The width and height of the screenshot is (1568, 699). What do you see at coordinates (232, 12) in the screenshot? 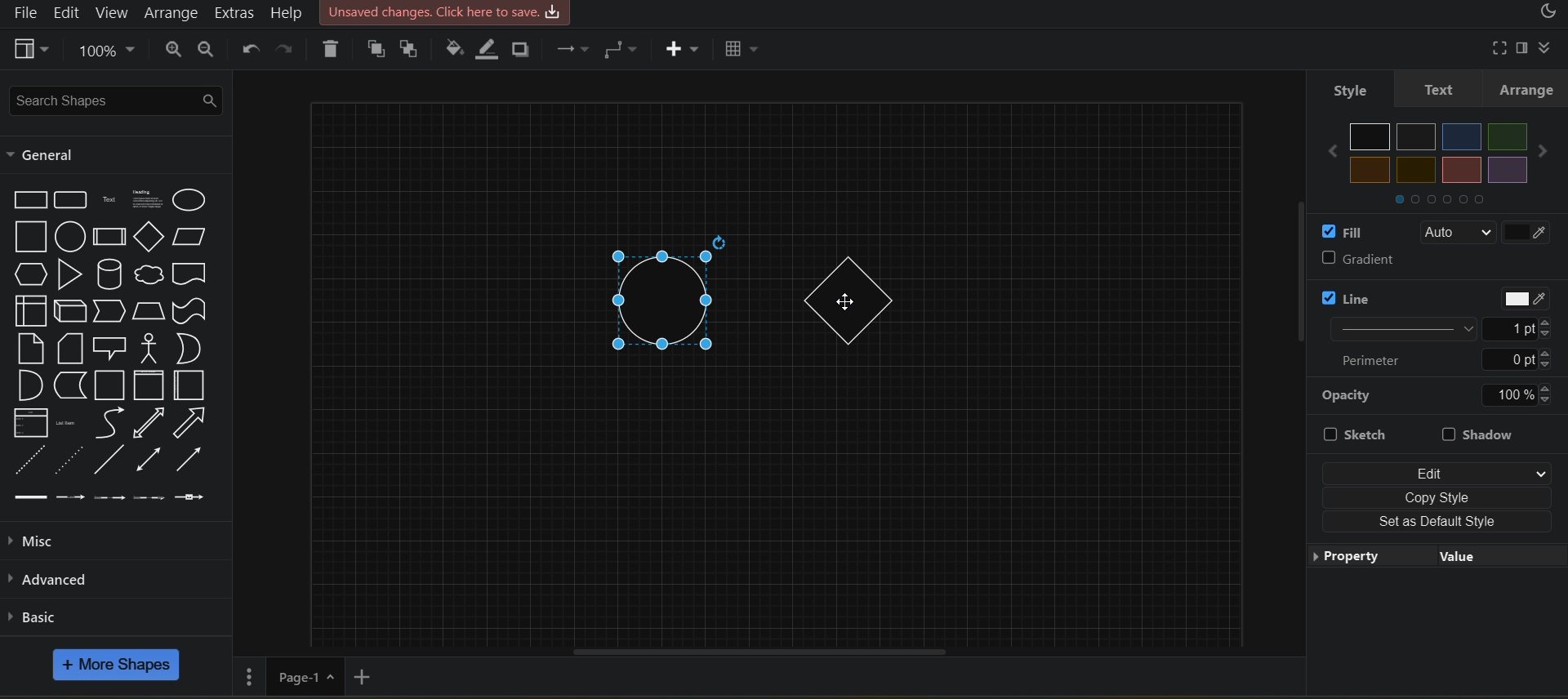
I see `extras` at bounding box center [232, 12].